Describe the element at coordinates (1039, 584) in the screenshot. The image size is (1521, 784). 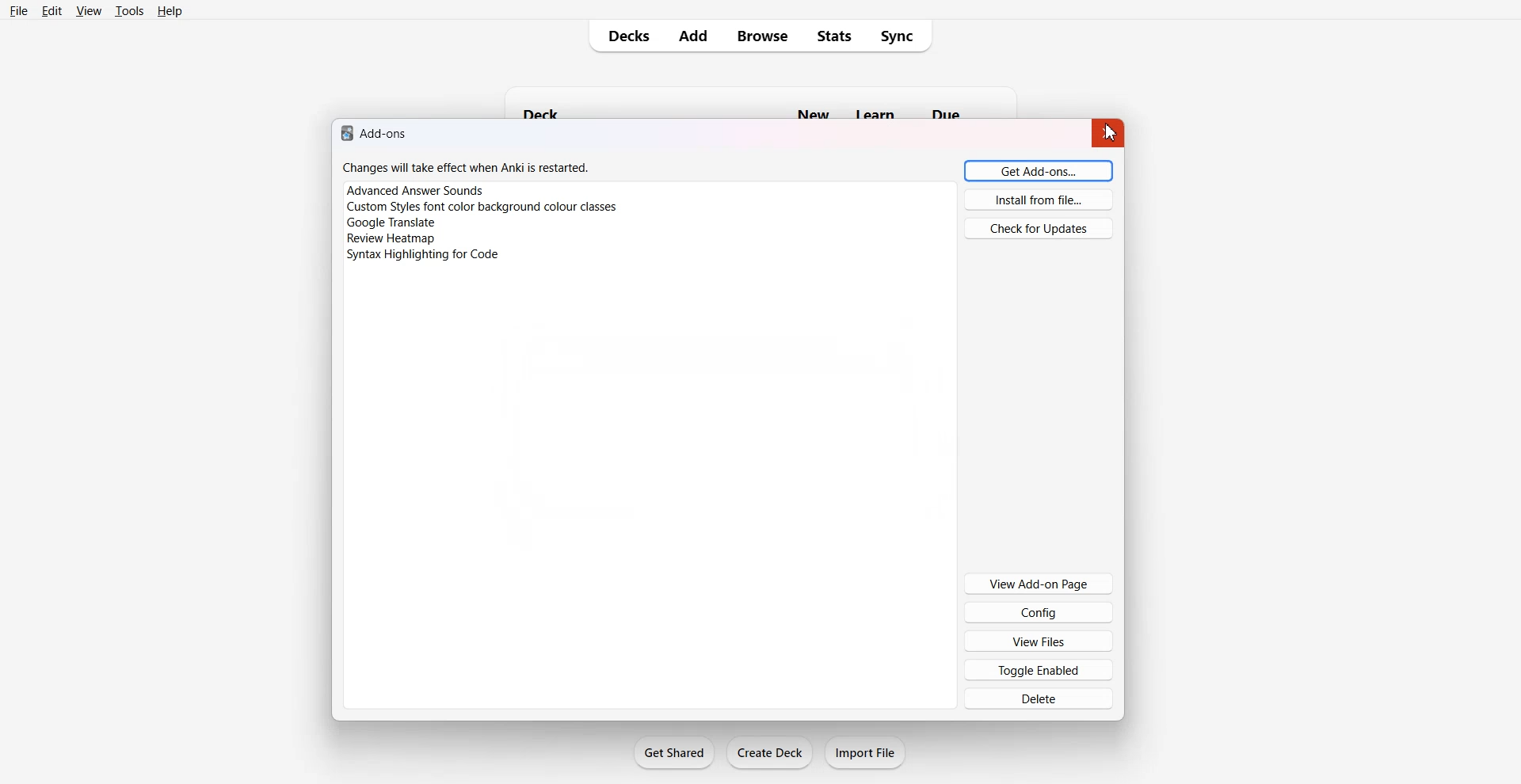
I see `View Add-on Page` at that location.